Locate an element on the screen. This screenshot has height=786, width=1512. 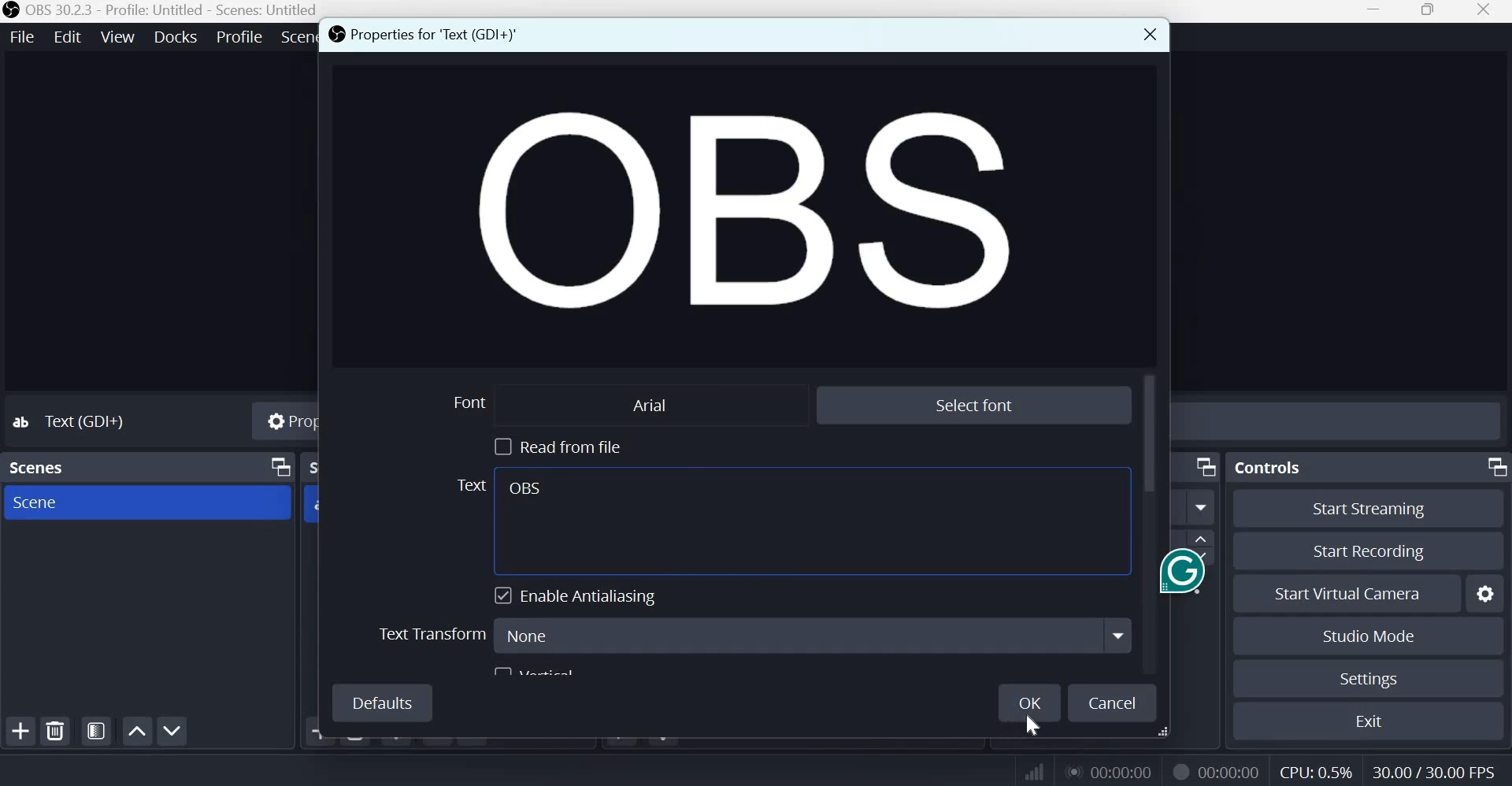
Scene is located at coordinates (51, 502).